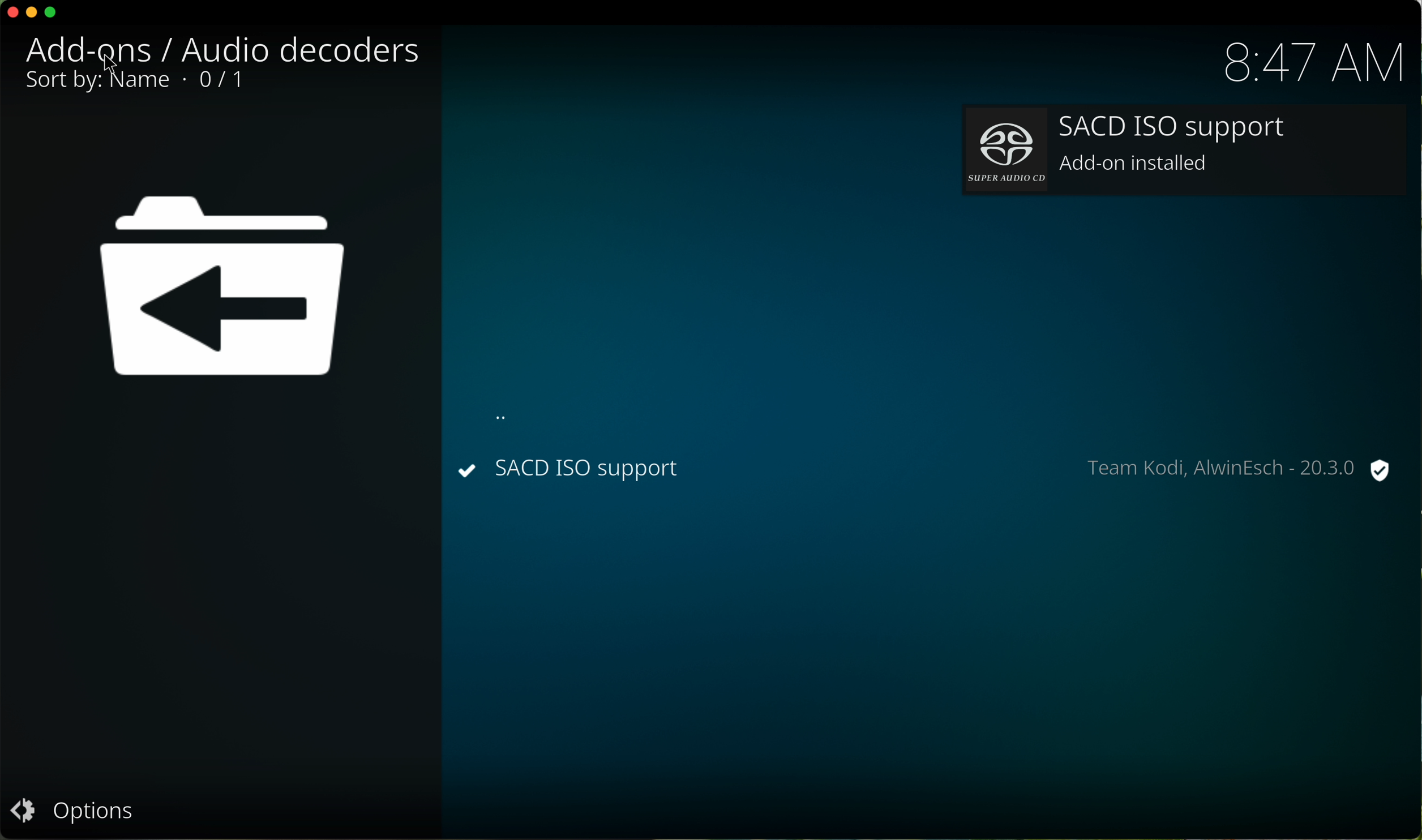 This screenshot has width=1422, height=840. I want to click on SACD ISO installed, so click(922, 468).